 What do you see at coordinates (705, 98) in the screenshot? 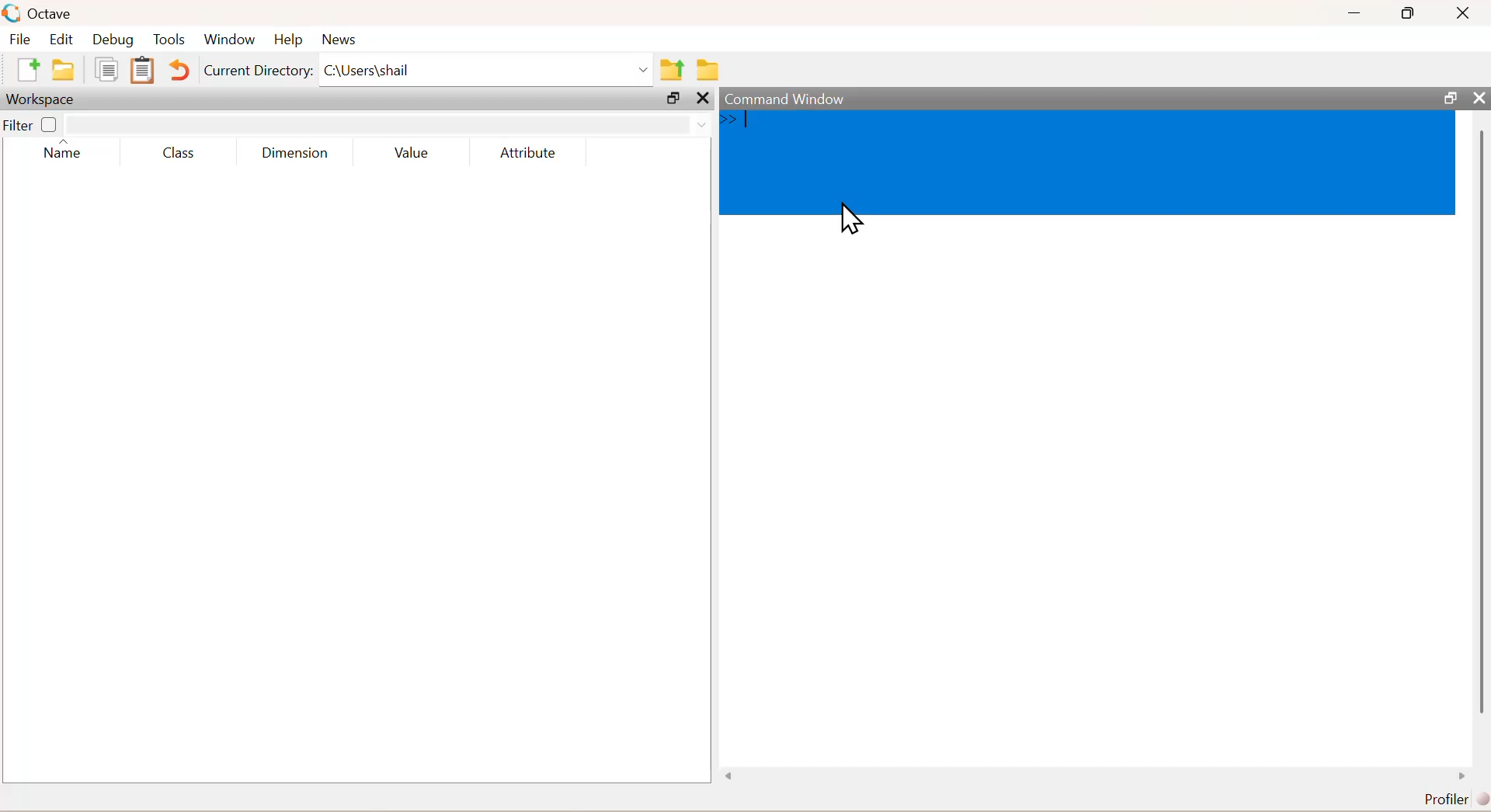
I see `close` at bounding box center [705, 98].